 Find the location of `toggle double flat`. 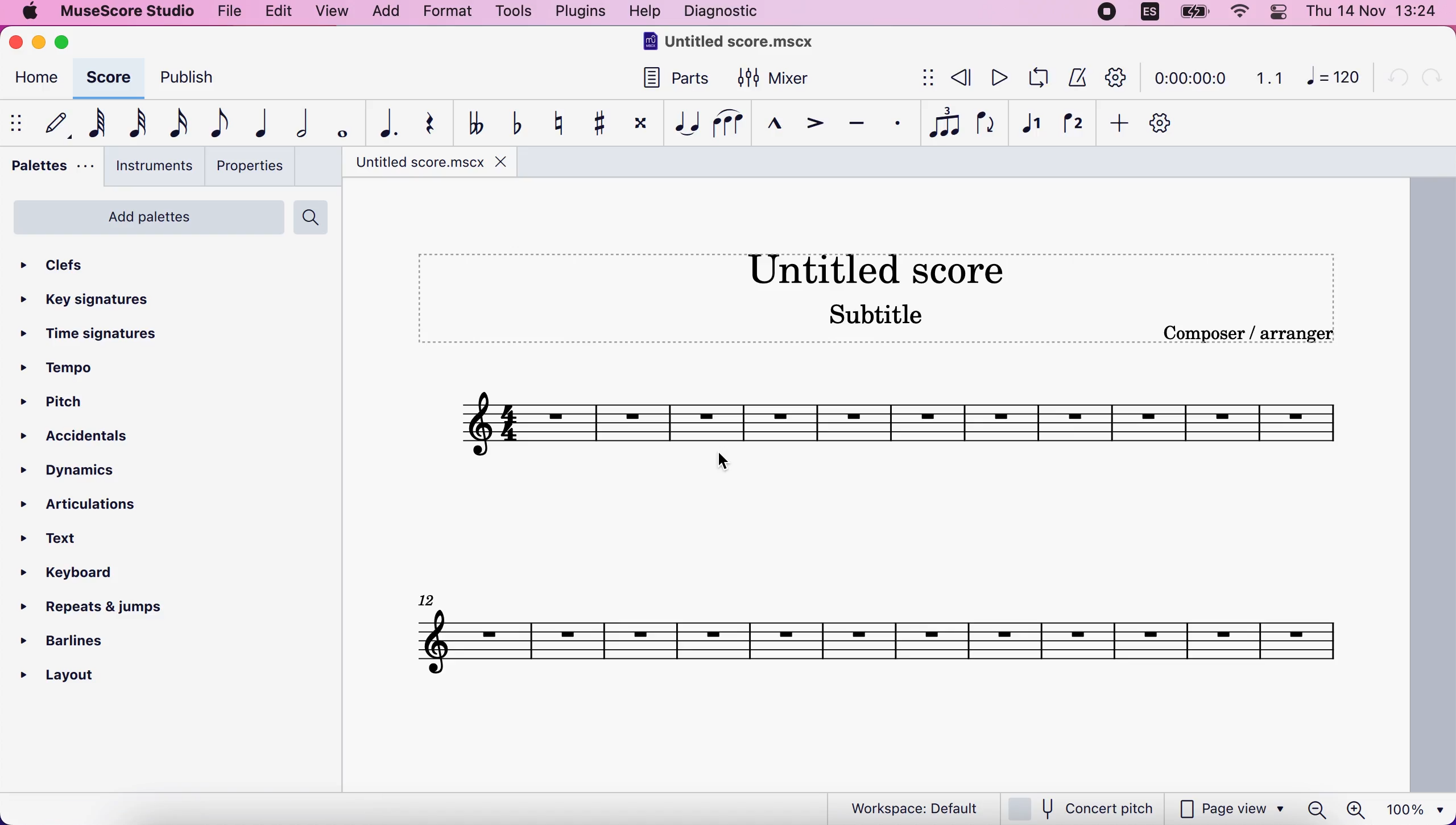

toggle double flat is located at coordinates (470, 123).